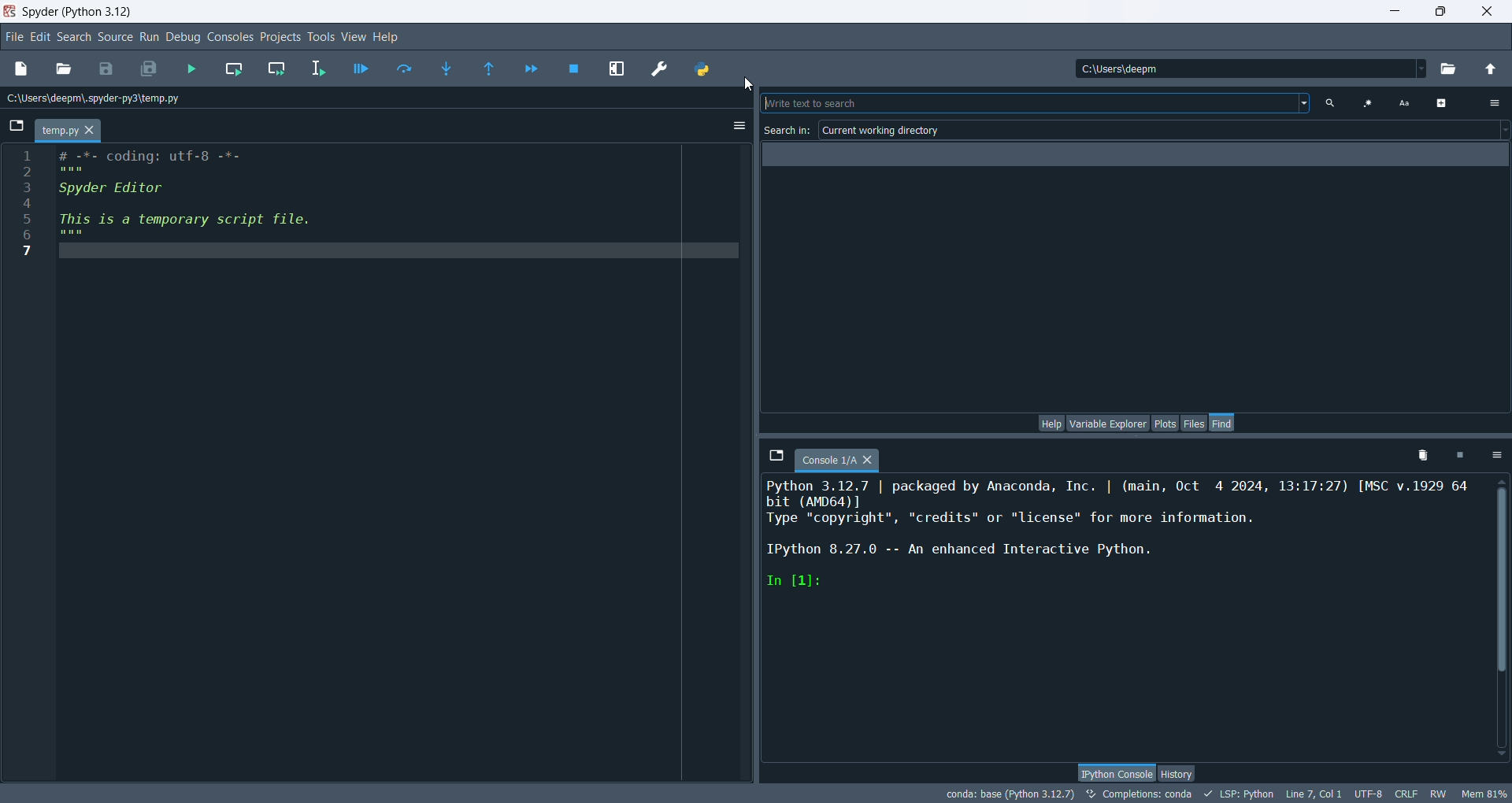 The height and width of the screenshot is (803, 1512). Describe the element at coordinates (1366, 104) in the screenshot. I see `use regular expression` at that location.